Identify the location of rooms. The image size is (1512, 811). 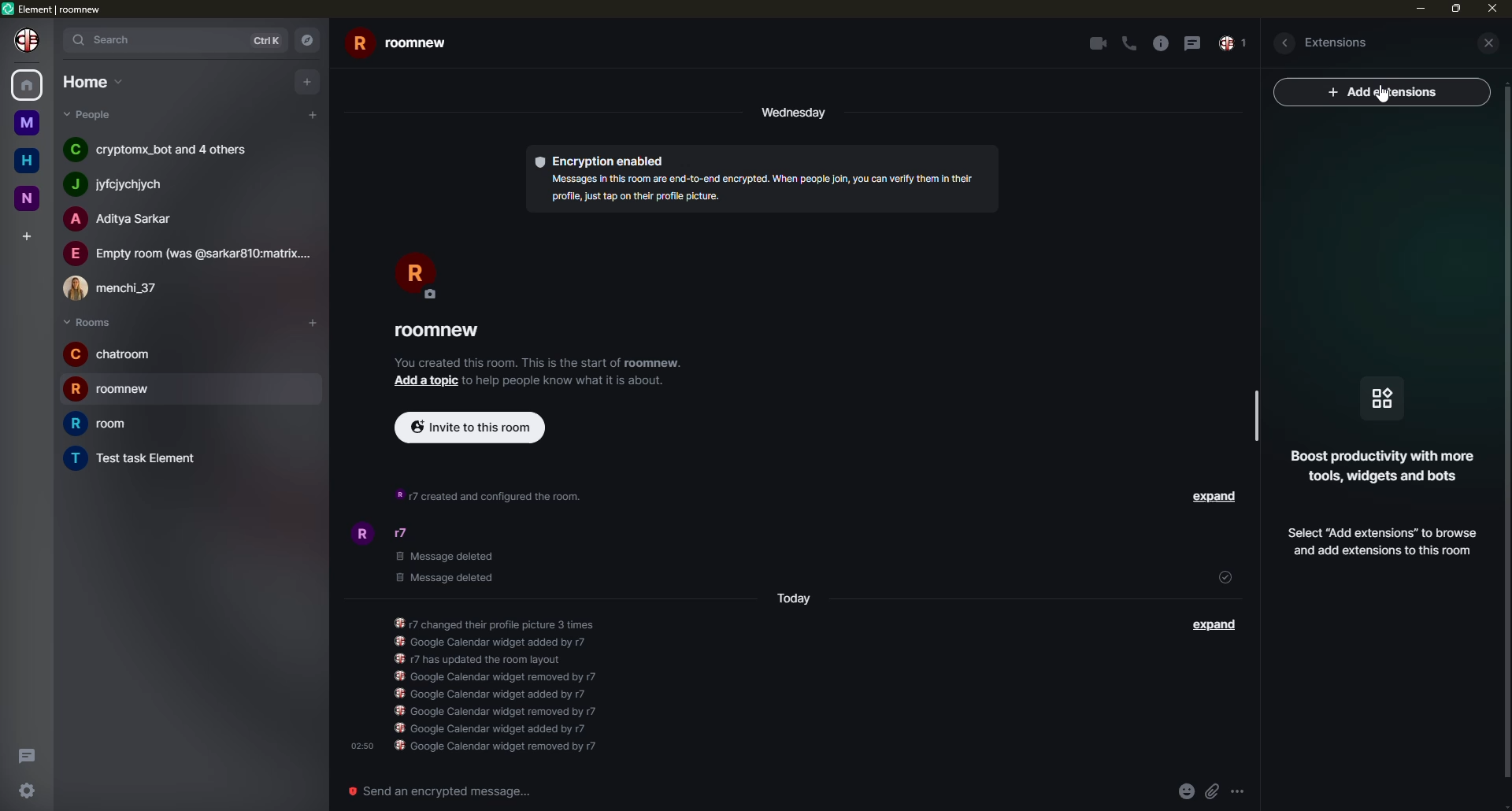
(87, 321).